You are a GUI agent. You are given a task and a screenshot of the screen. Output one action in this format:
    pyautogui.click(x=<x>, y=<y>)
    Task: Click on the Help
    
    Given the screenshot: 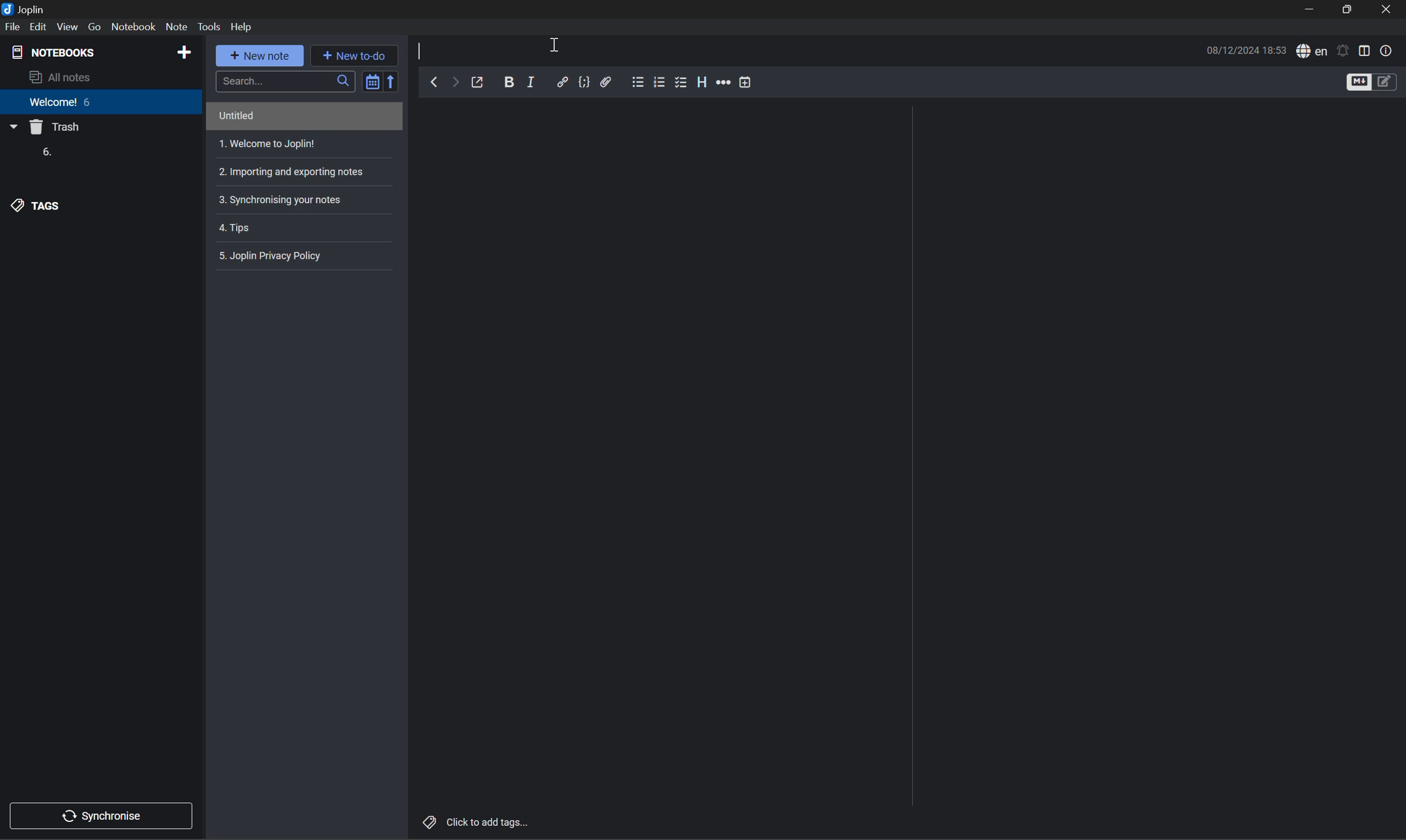 What is the action you would take?
    pyautogui.click(x=246, y=27)
    